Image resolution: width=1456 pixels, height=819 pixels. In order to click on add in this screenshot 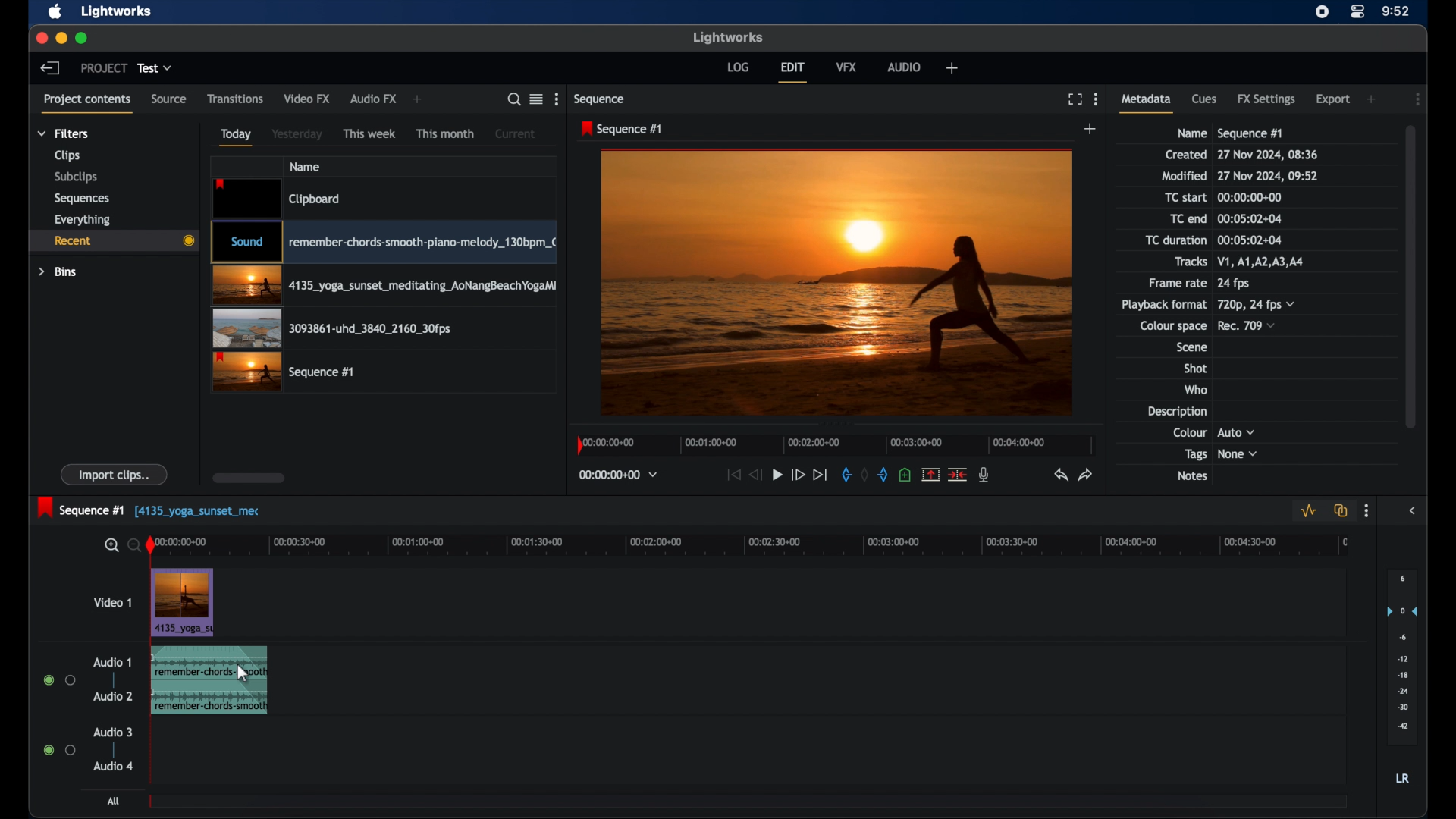, I will do `click(419, 99)`.